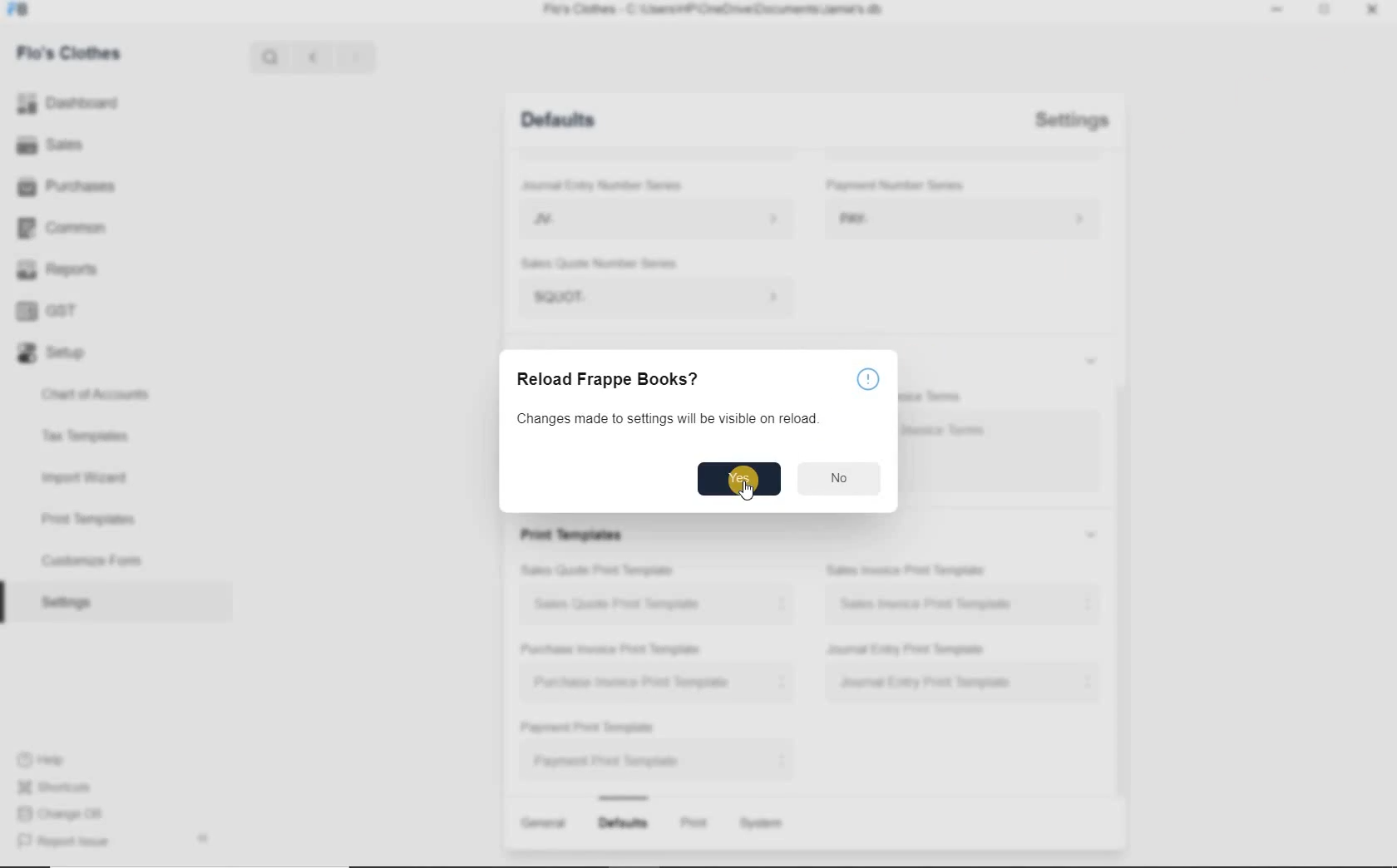 Image resolution: width=1397 pixels, height=868 pixels. Describe the element at coordinates (613, 379) in the screenshot. I see `Reload Frappe Books?` at that location.